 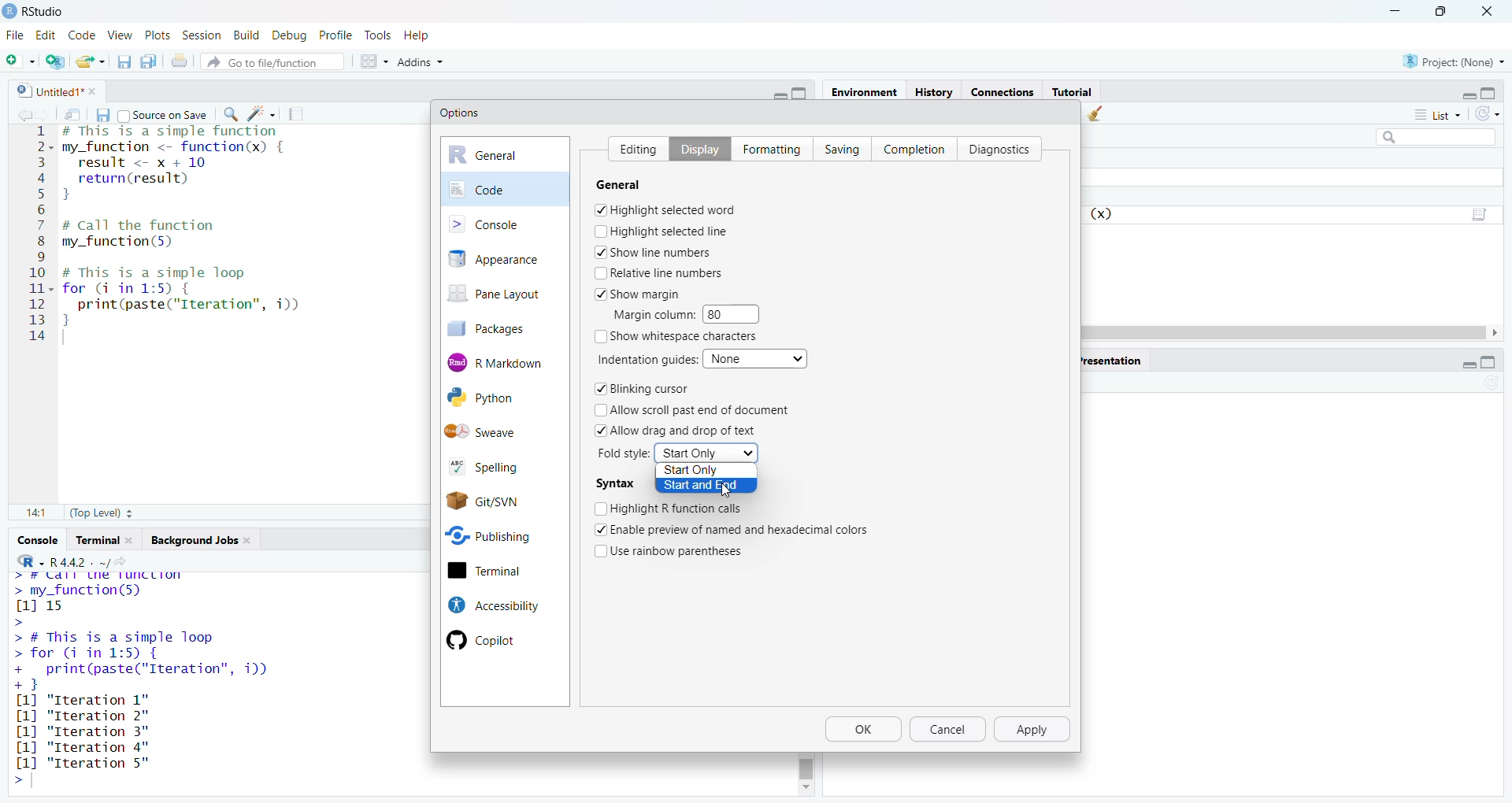 I want to click on logo, so click(x=9, y=11).